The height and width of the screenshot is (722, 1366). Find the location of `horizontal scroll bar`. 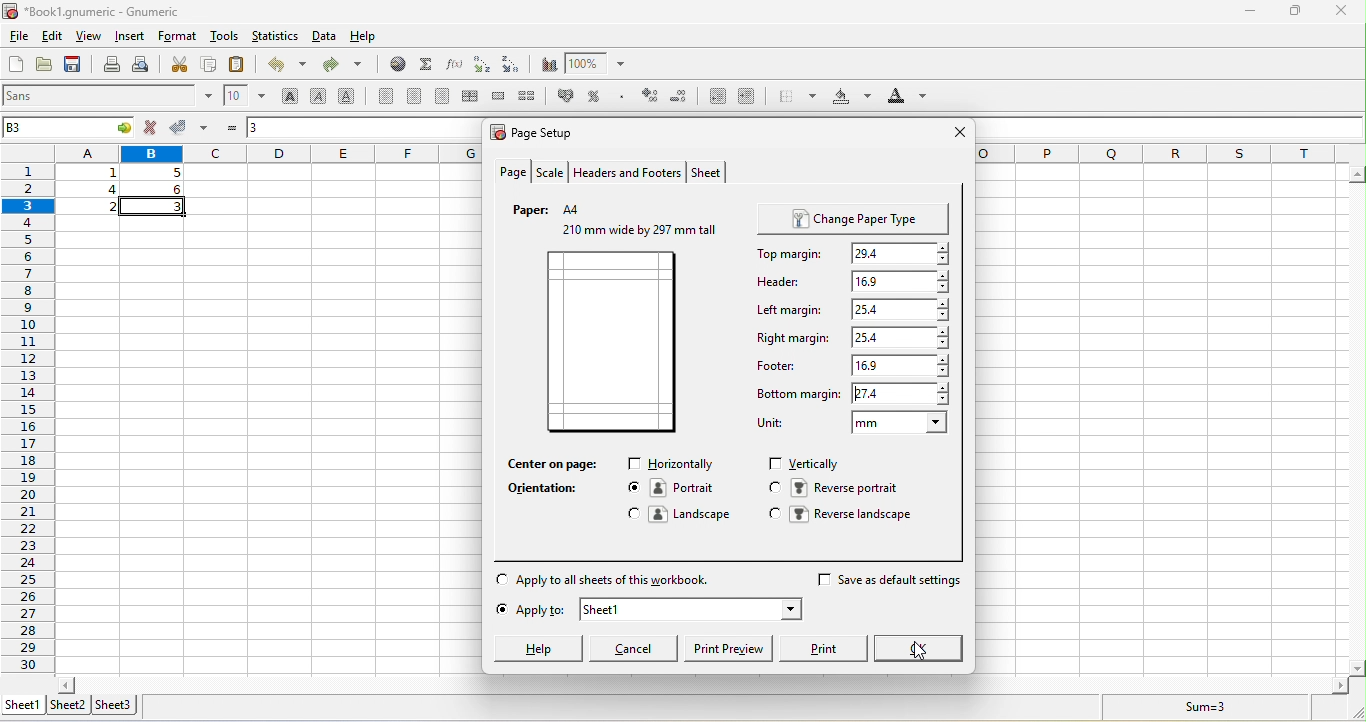

horizontal scroll bar is located at coordinates (700, 681).